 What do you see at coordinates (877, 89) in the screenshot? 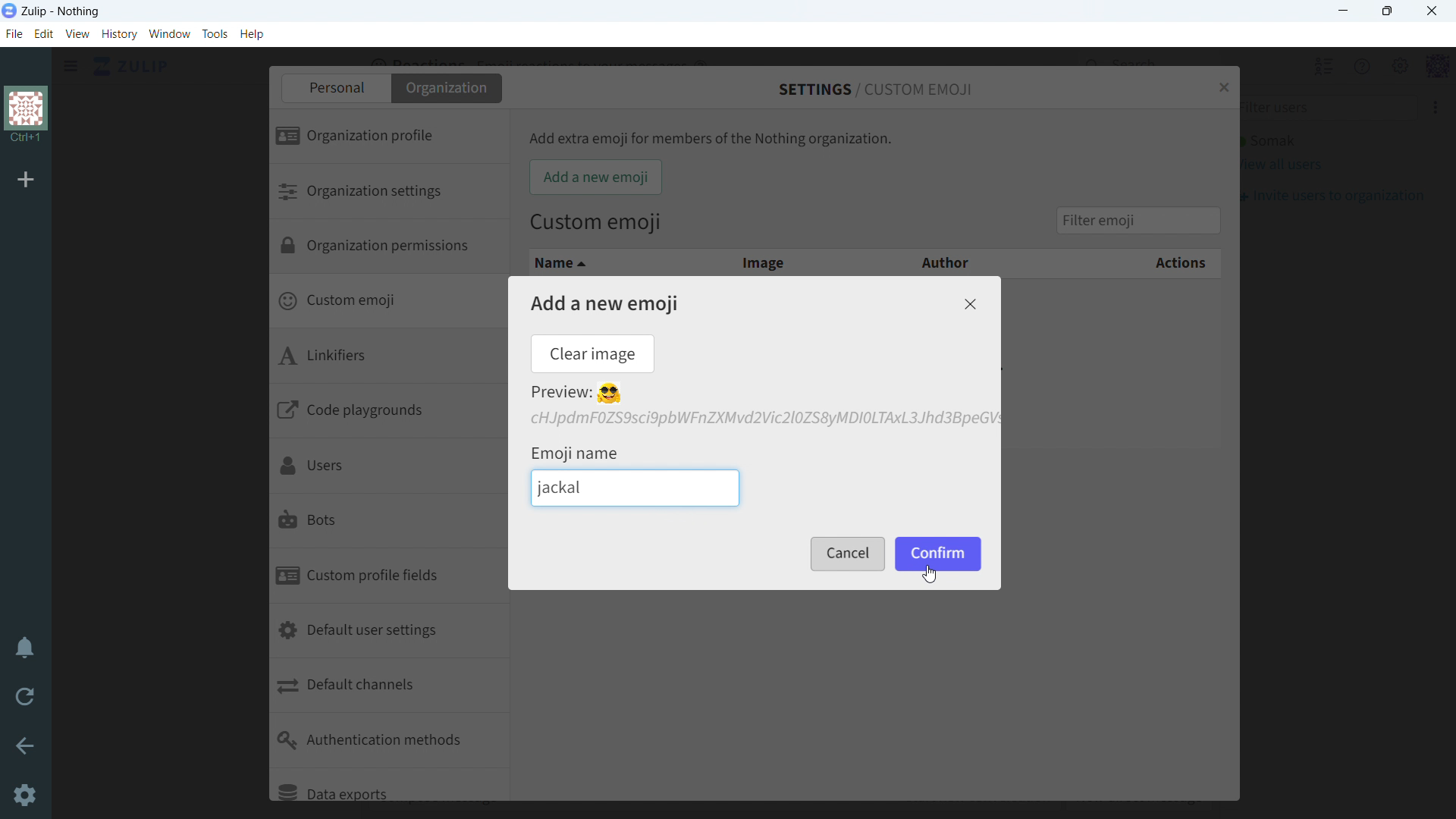
I see `settings/custom emoji` at bounding box center [877, 89].